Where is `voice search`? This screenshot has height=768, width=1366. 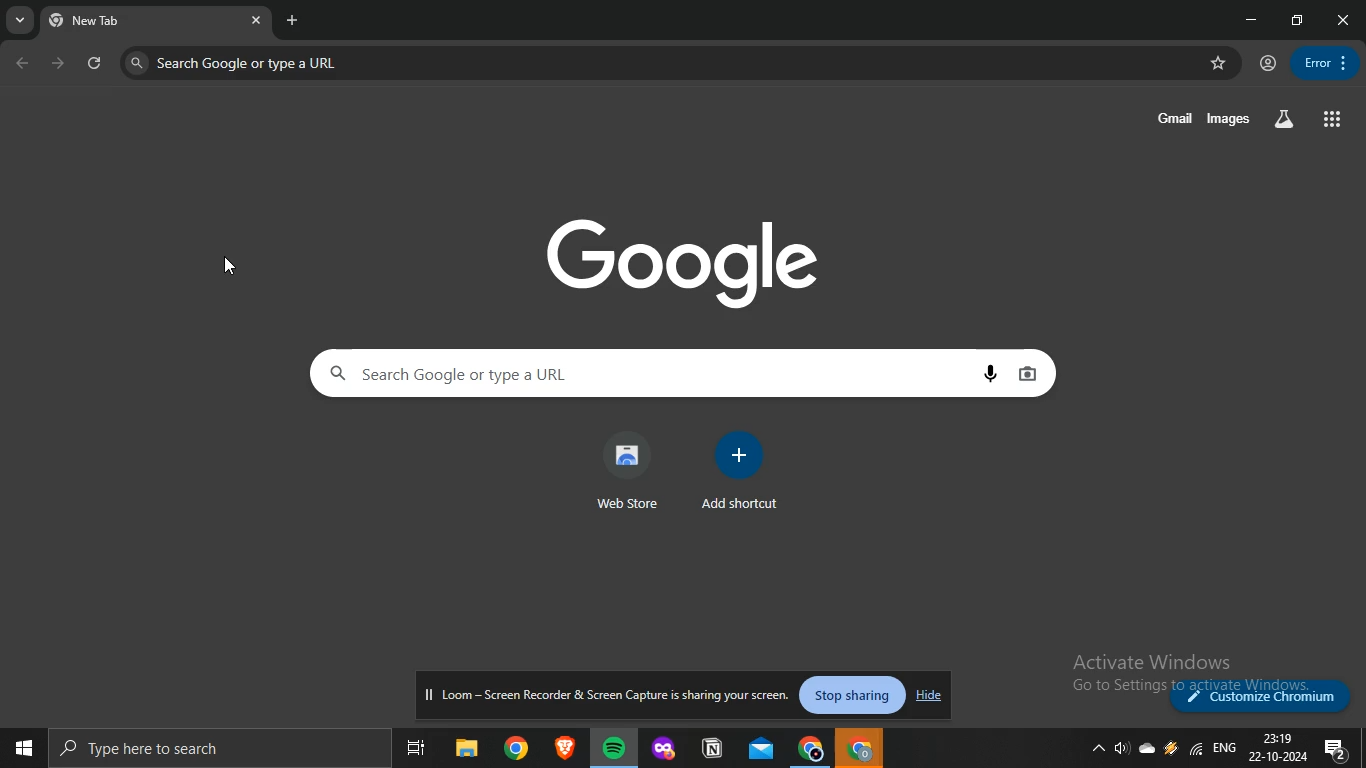
voice search is located at coordinates (995, 374).